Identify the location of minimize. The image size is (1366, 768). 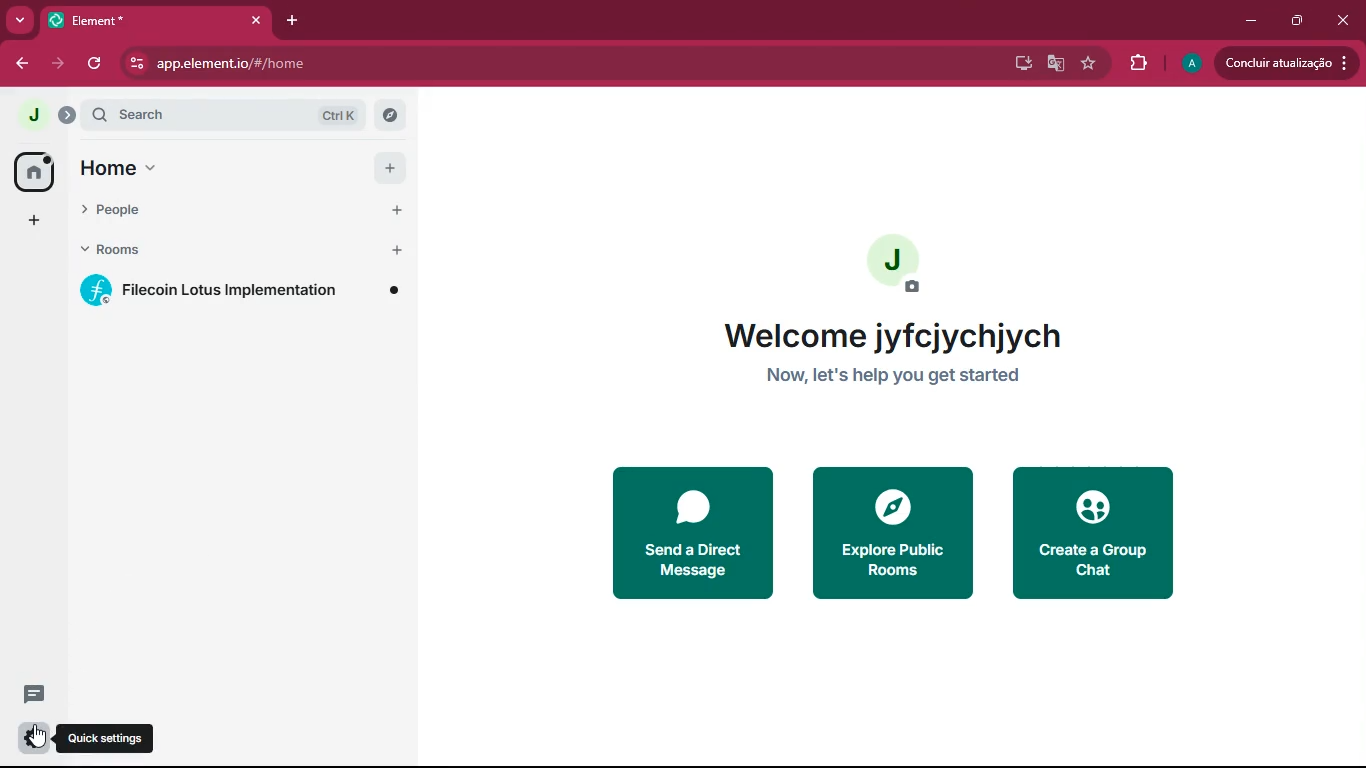
(1248, 21).